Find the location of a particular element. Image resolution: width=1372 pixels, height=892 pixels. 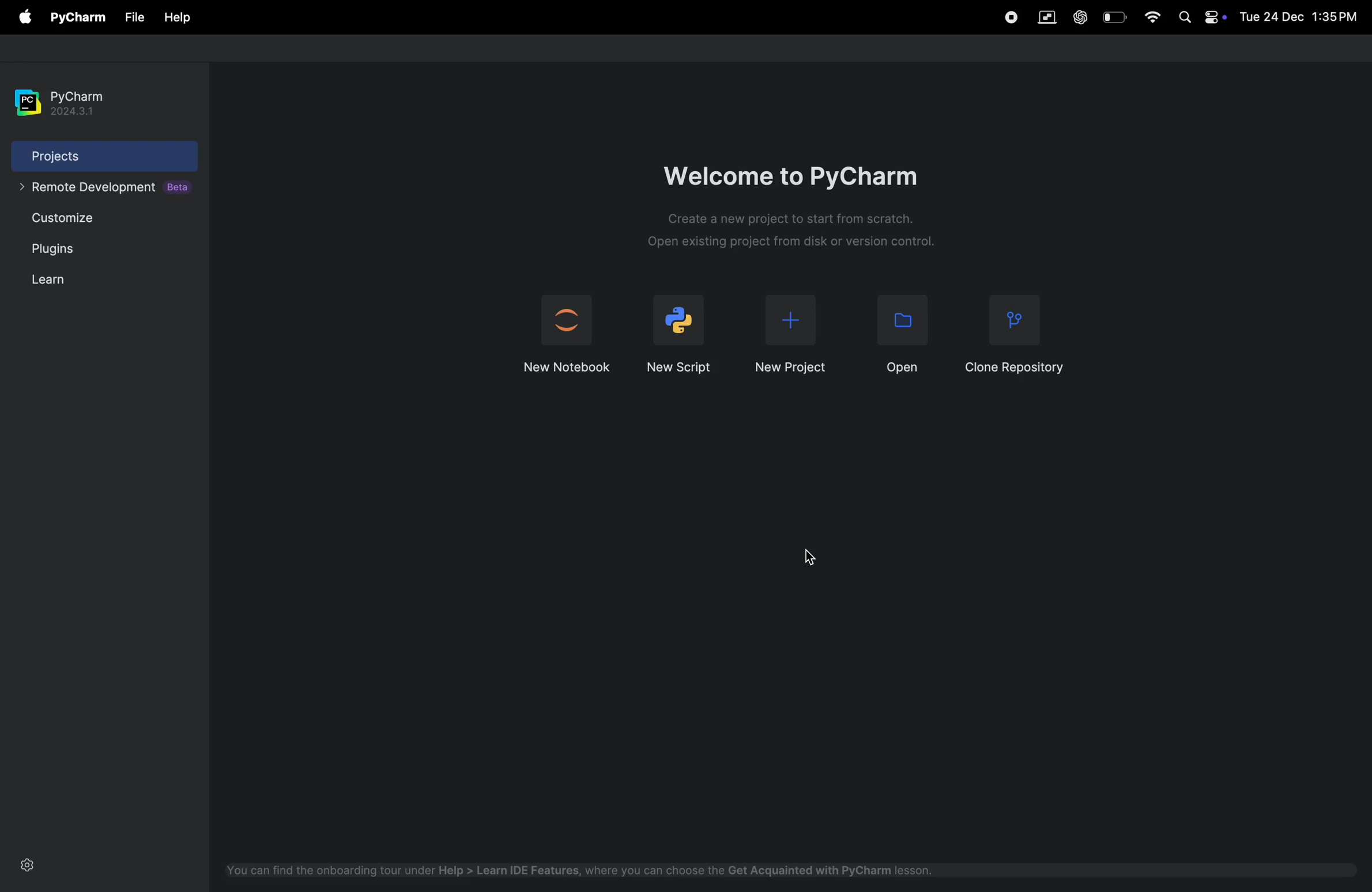

new script is located at coordinates (675, 335).